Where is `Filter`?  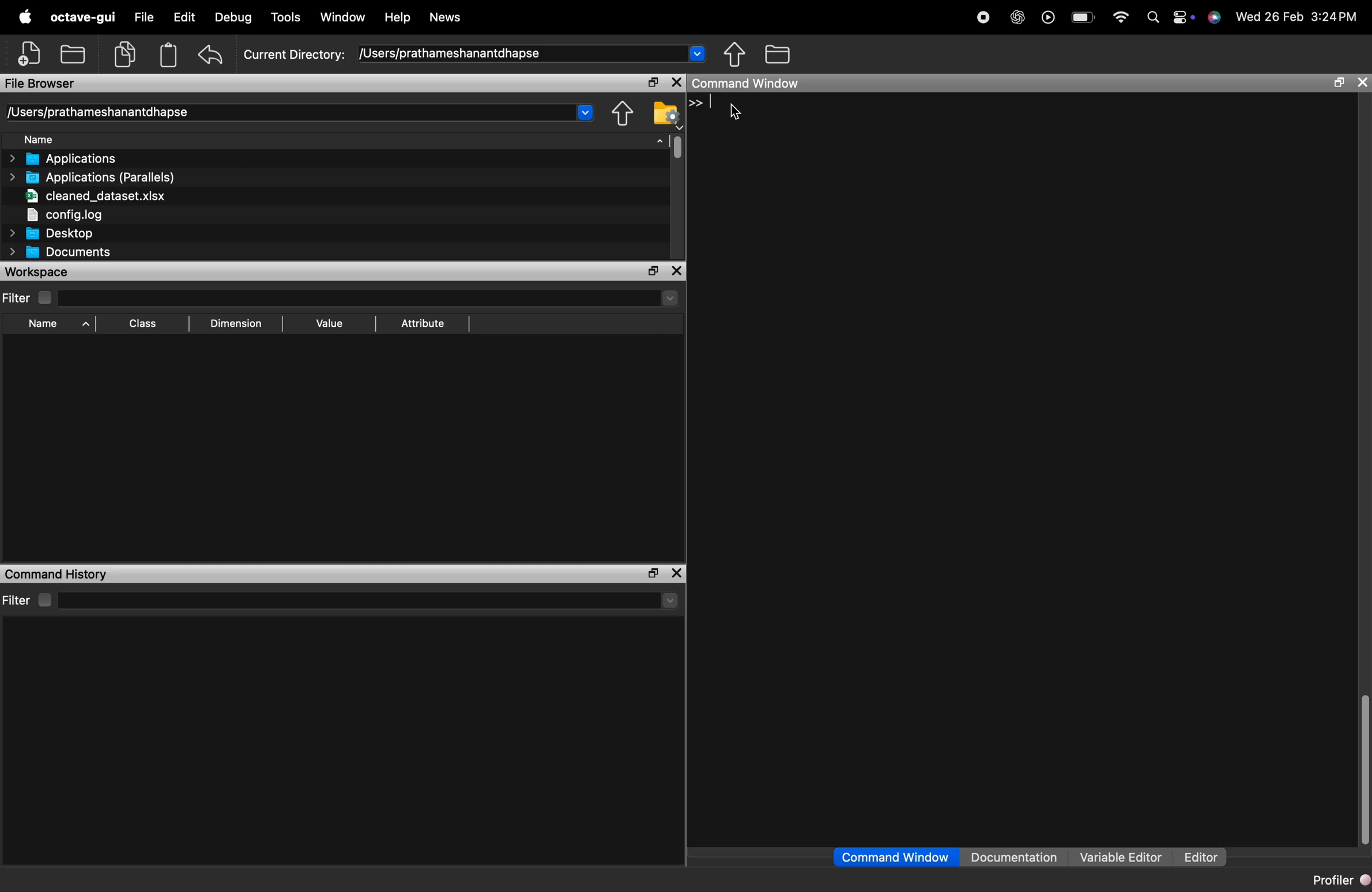 Filter is located at coordinates (27, 297).